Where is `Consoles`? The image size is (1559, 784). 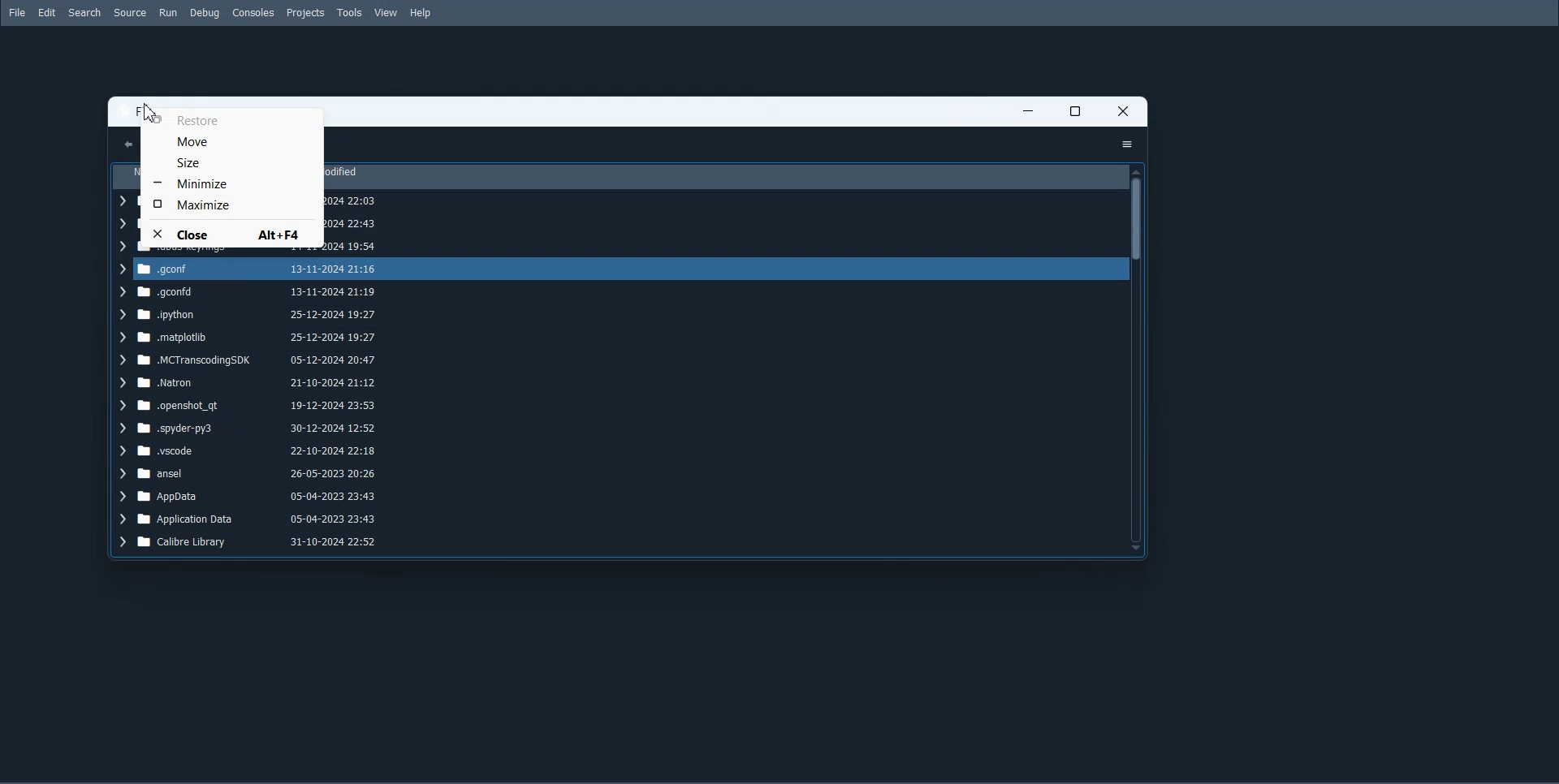 Consoles is located at coordinates (253, 12).